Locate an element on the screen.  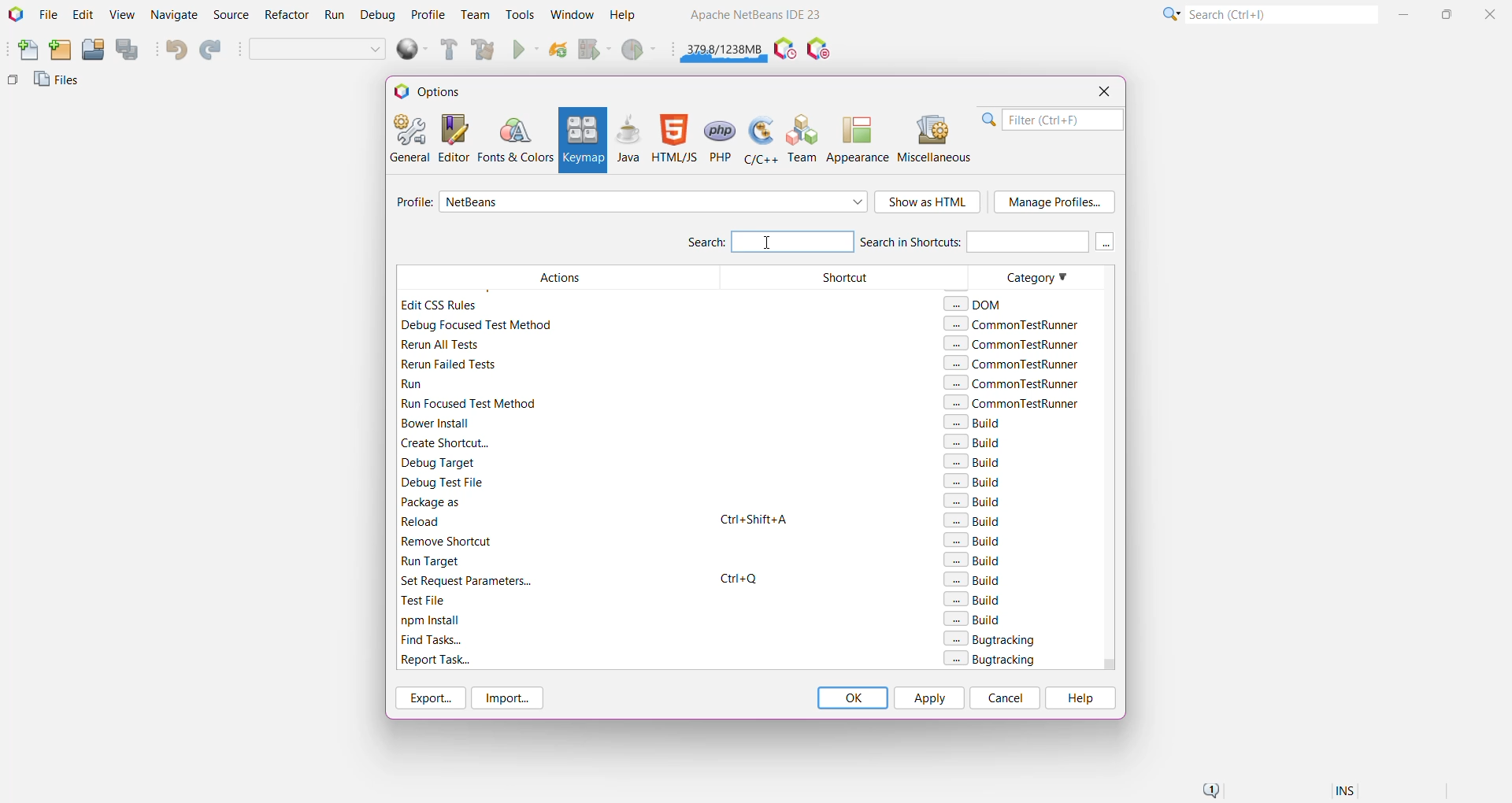
Edit is located at coordinates (83, 16).